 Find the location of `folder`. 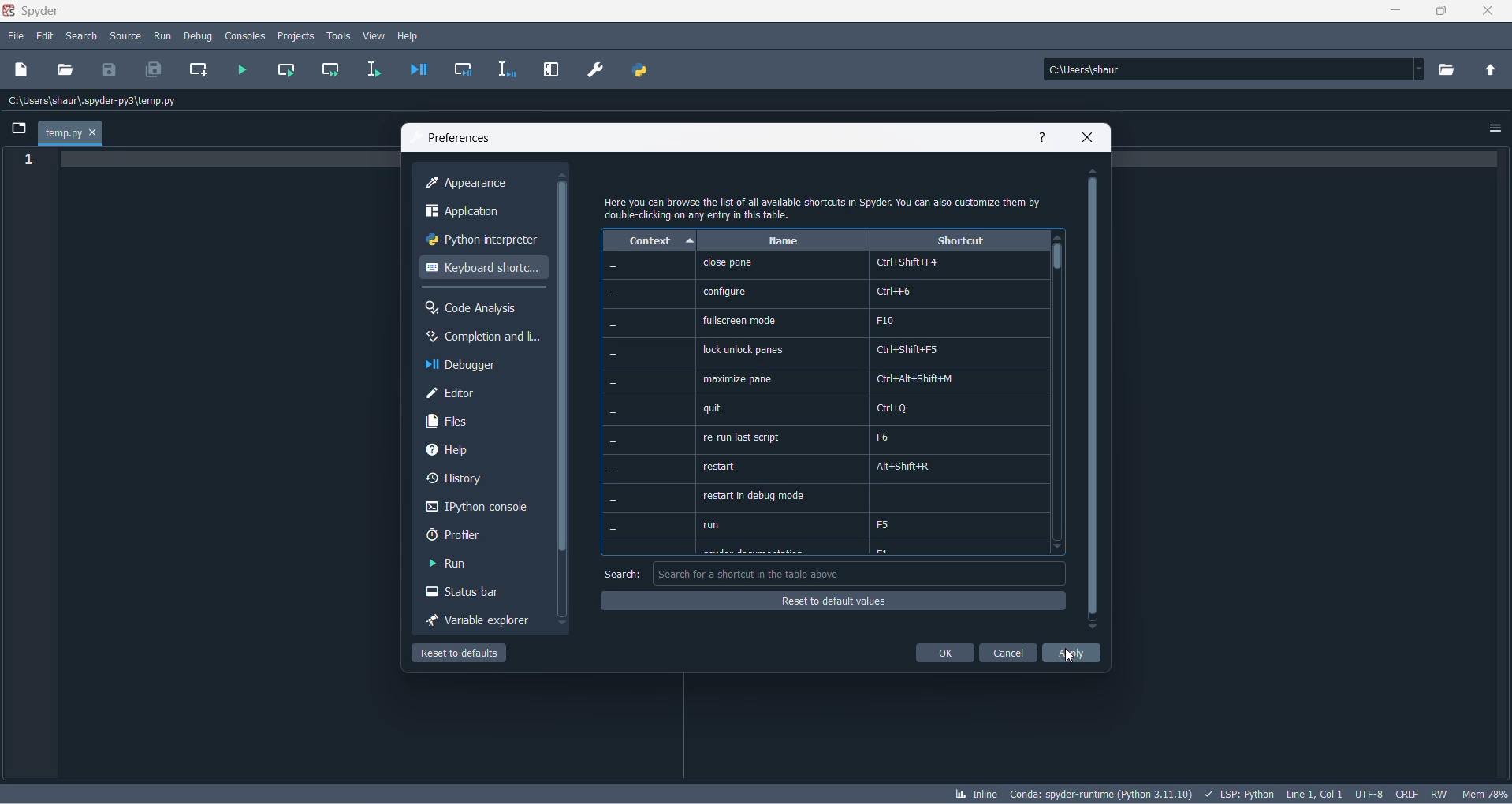

folder is located at coordinates (17, 130).